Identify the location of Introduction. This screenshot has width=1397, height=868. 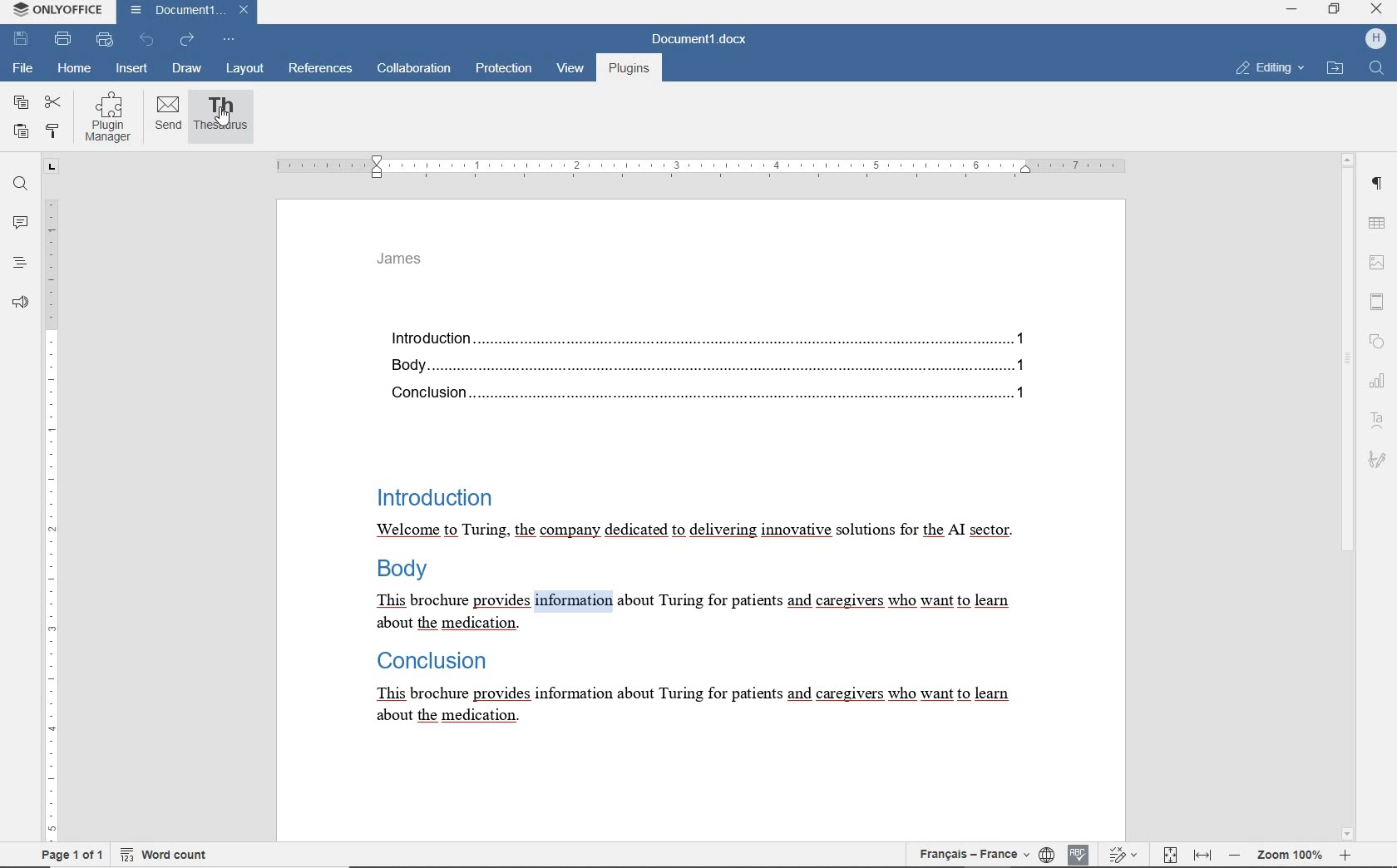
(432, 495).